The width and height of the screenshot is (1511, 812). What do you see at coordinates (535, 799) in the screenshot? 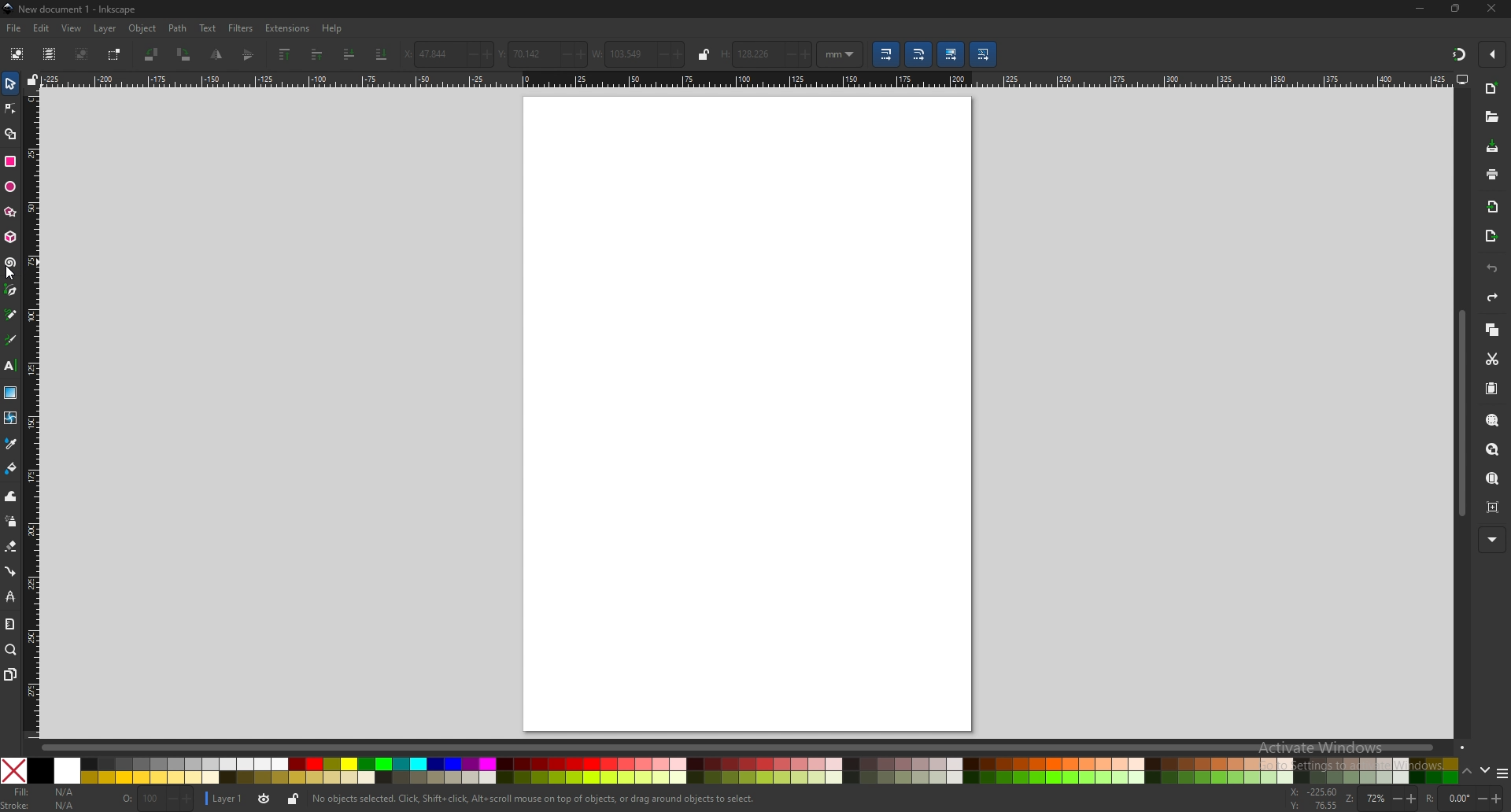
I see `No objects selected. Click, Shift+ click, Alt+scroll mouse on top of objects, or drag around objects to select.` at bounding box center [535, 799].